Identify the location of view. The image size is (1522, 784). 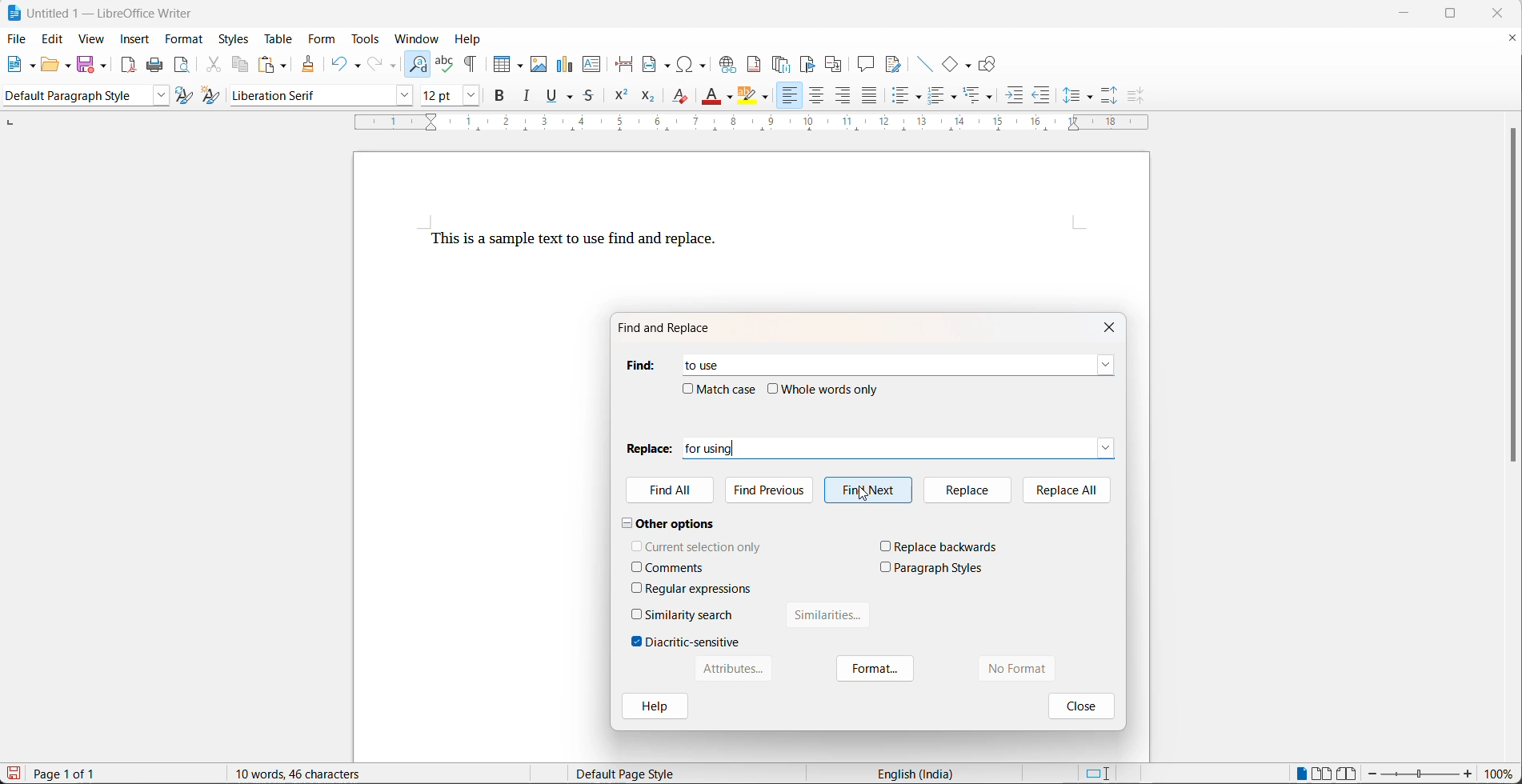
(91, 40).